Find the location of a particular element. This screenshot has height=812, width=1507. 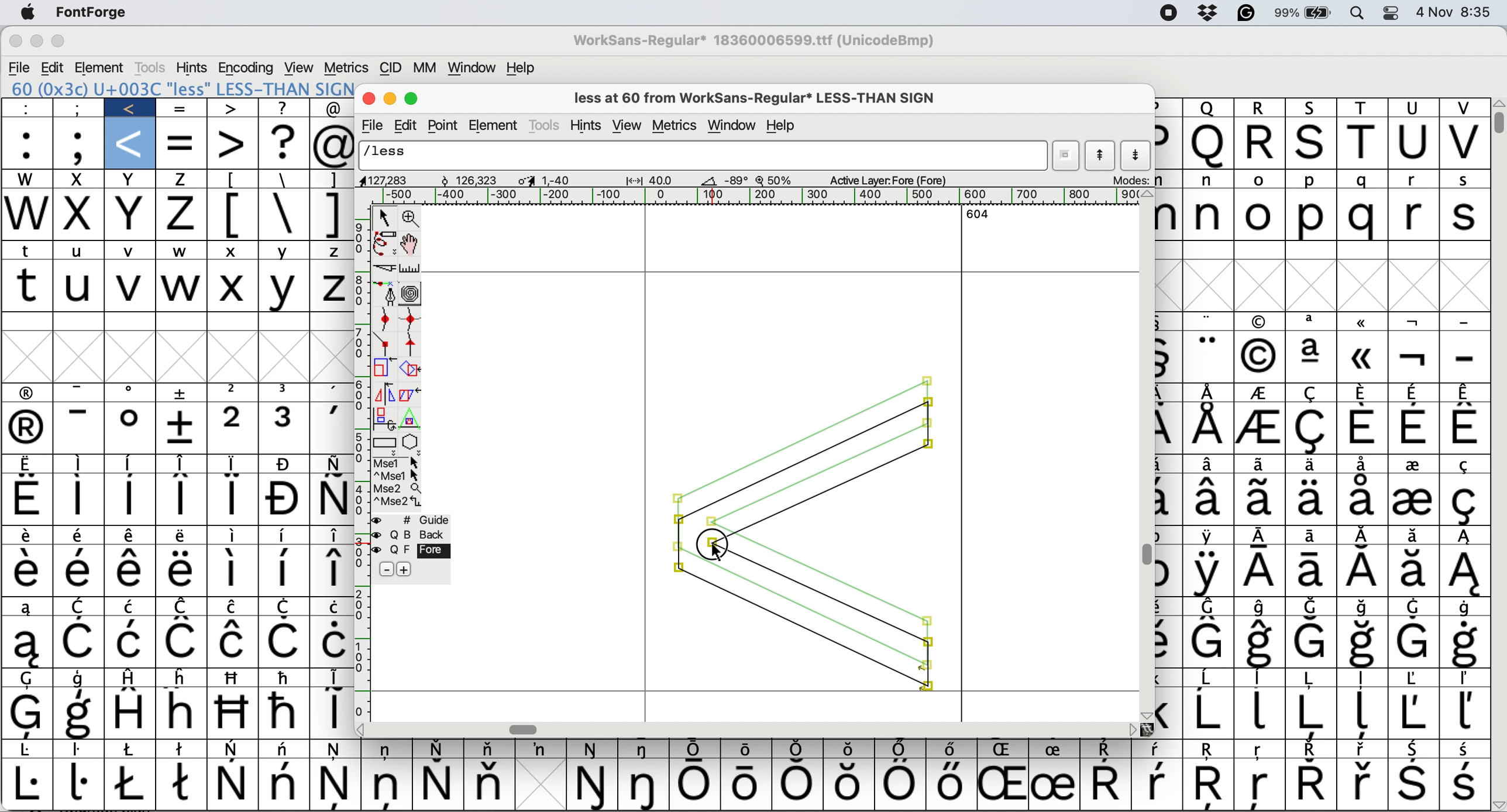

Symbol is located at coordinates (1259, 713).